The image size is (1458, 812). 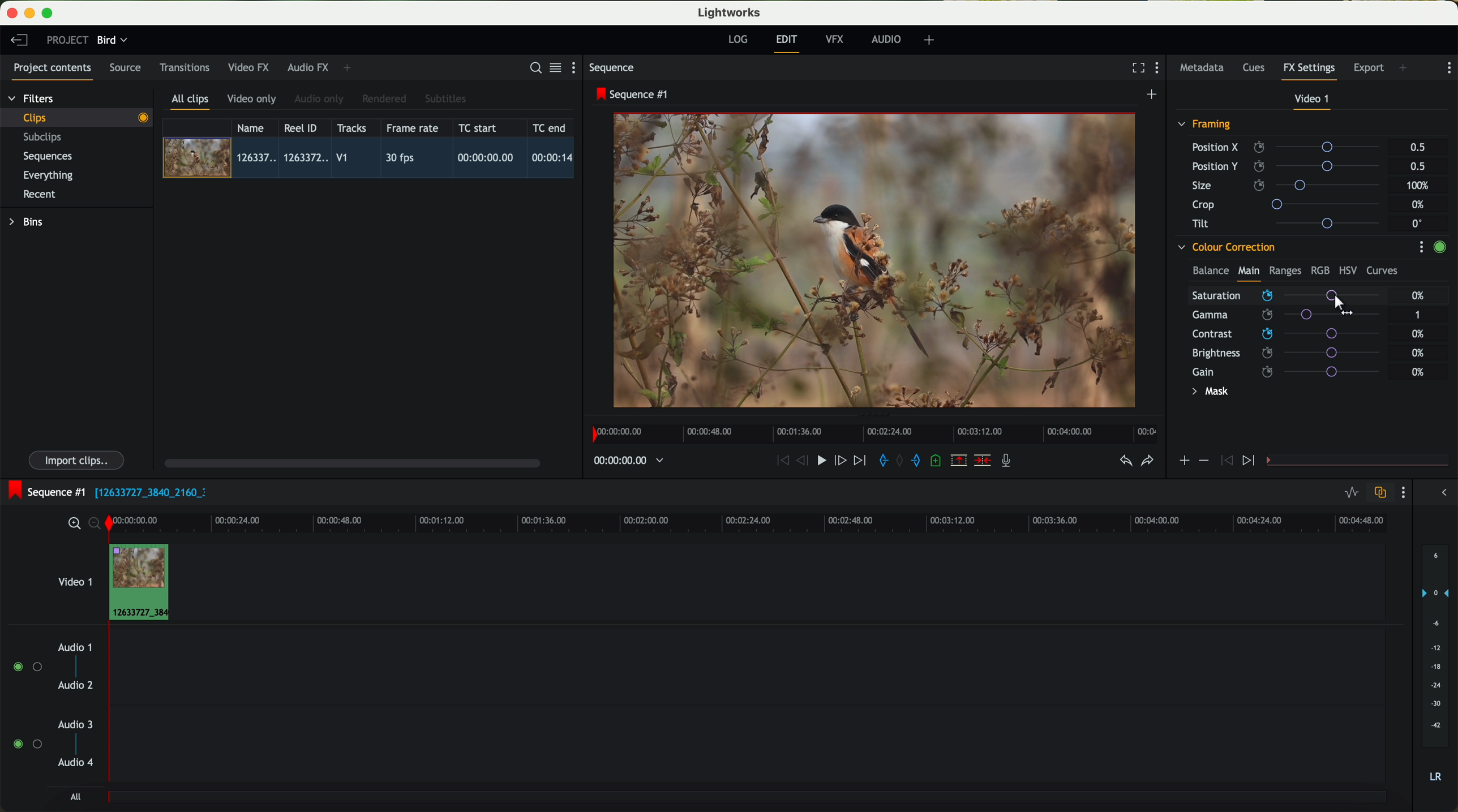 What do you see at coordinates (40, 196) in the screenshot?
I see `recent` at bounding box center [40, 196].